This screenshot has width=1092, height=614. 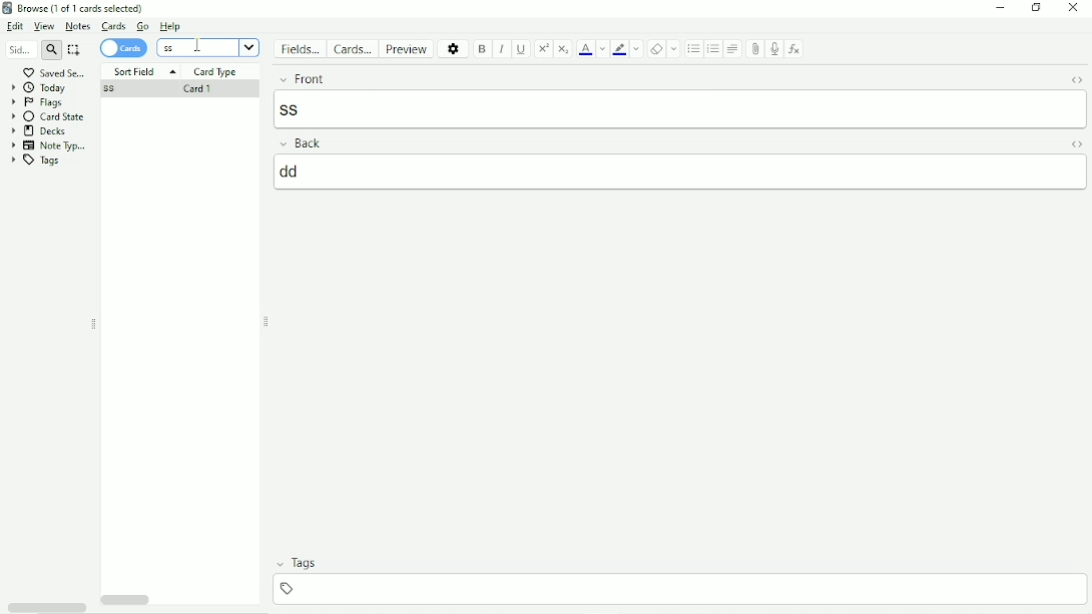 I want to click on Notes, so click(x=78, y=26).